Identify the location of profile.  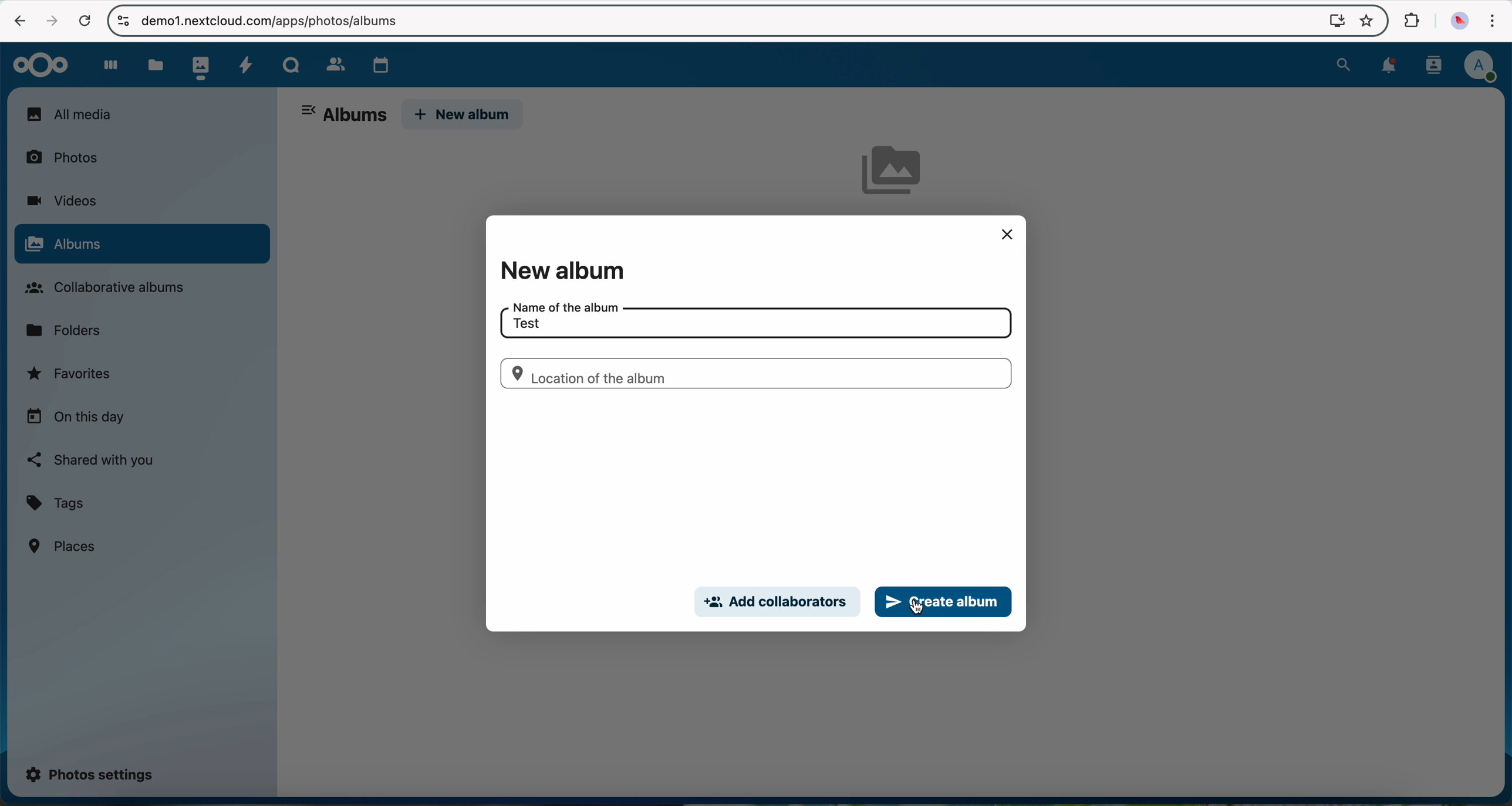
(1480, 67).